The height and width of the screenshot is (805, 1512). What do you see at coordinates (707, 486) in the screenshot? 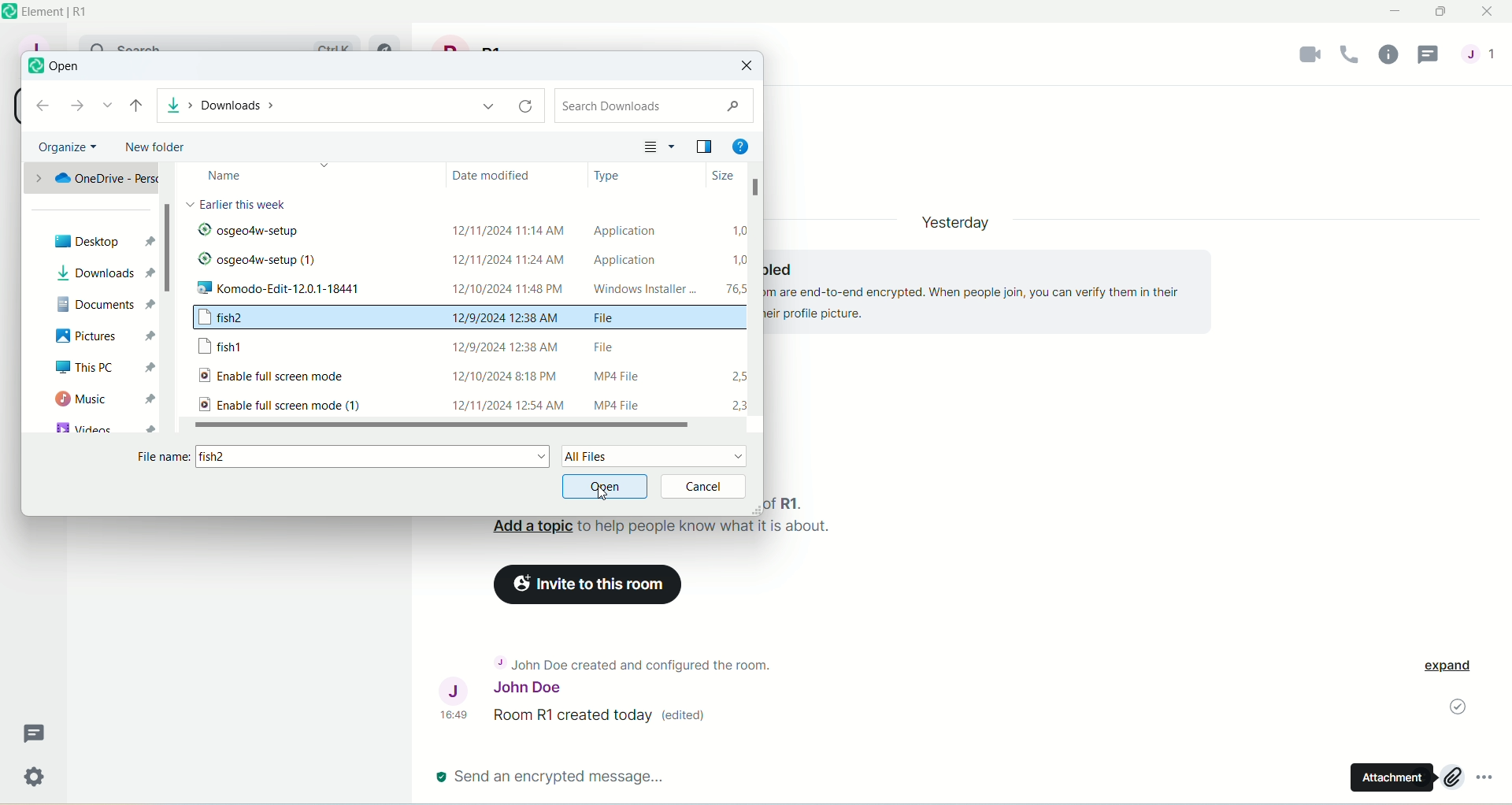
I see `cancel` at bounding box center [707, 486].